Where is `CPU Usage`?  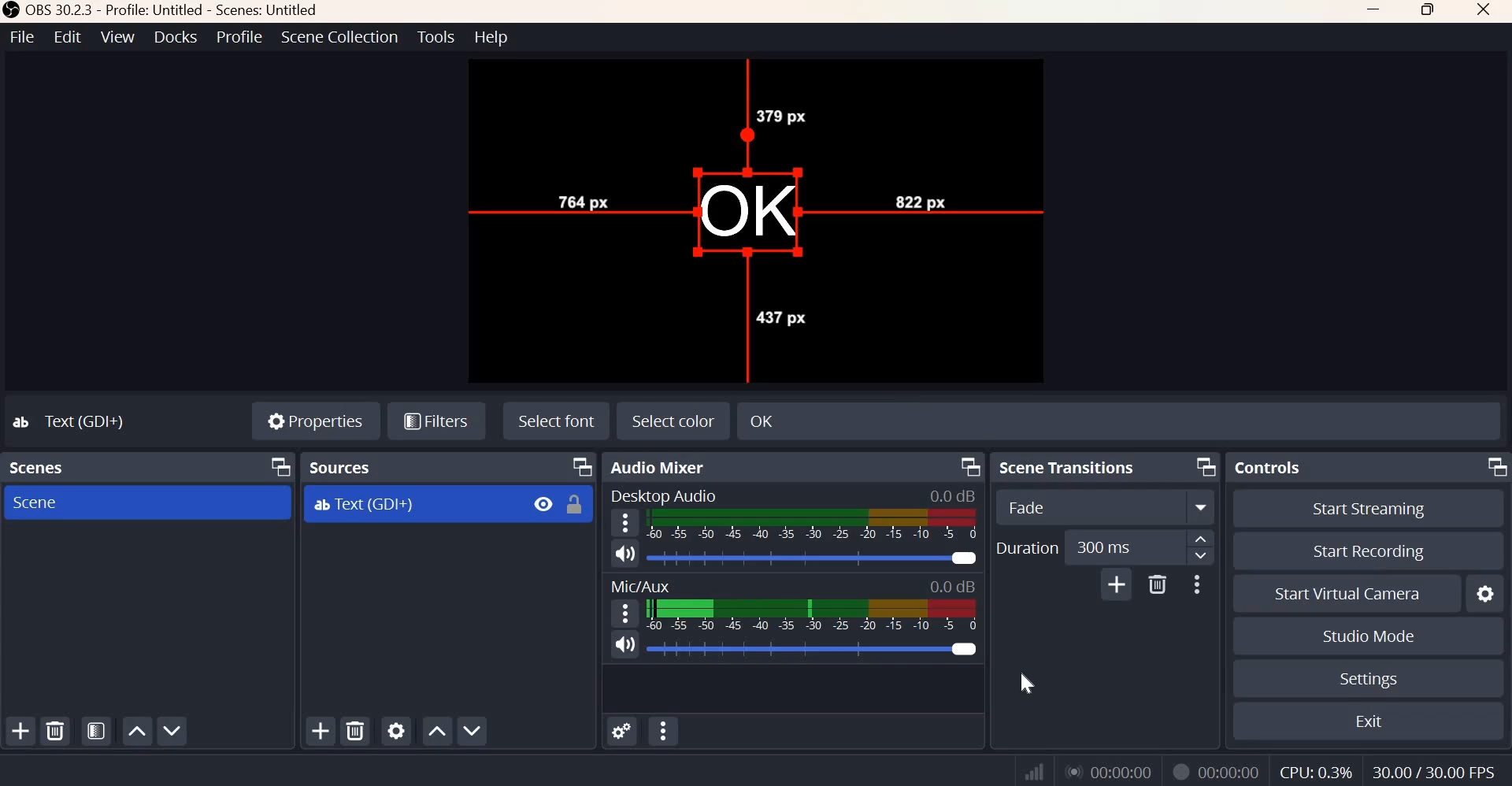
CPU Usage is located at coordinates (1316, 772).